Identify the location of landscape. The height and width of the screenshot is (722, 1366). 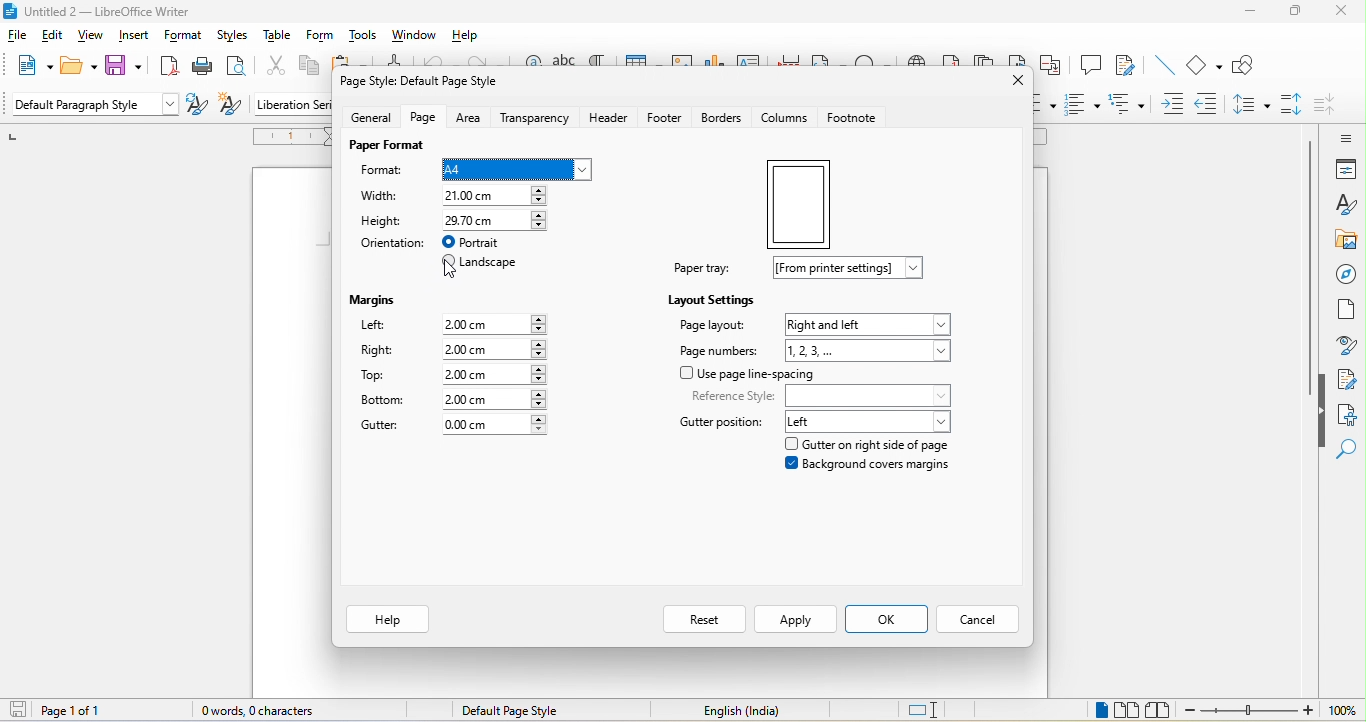
(487, 264).